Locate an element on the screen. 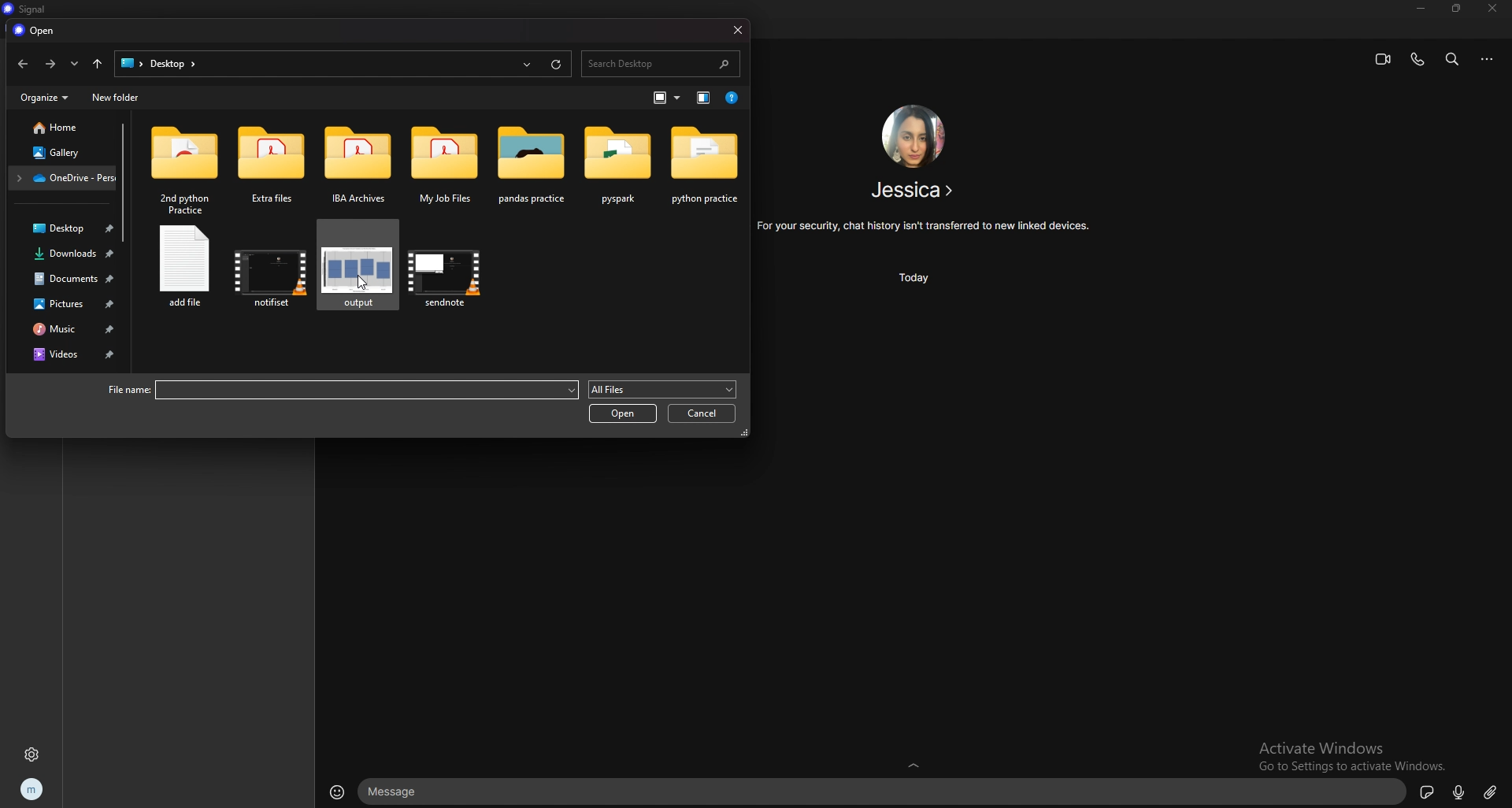  forward is located at coordinates (52, 63).